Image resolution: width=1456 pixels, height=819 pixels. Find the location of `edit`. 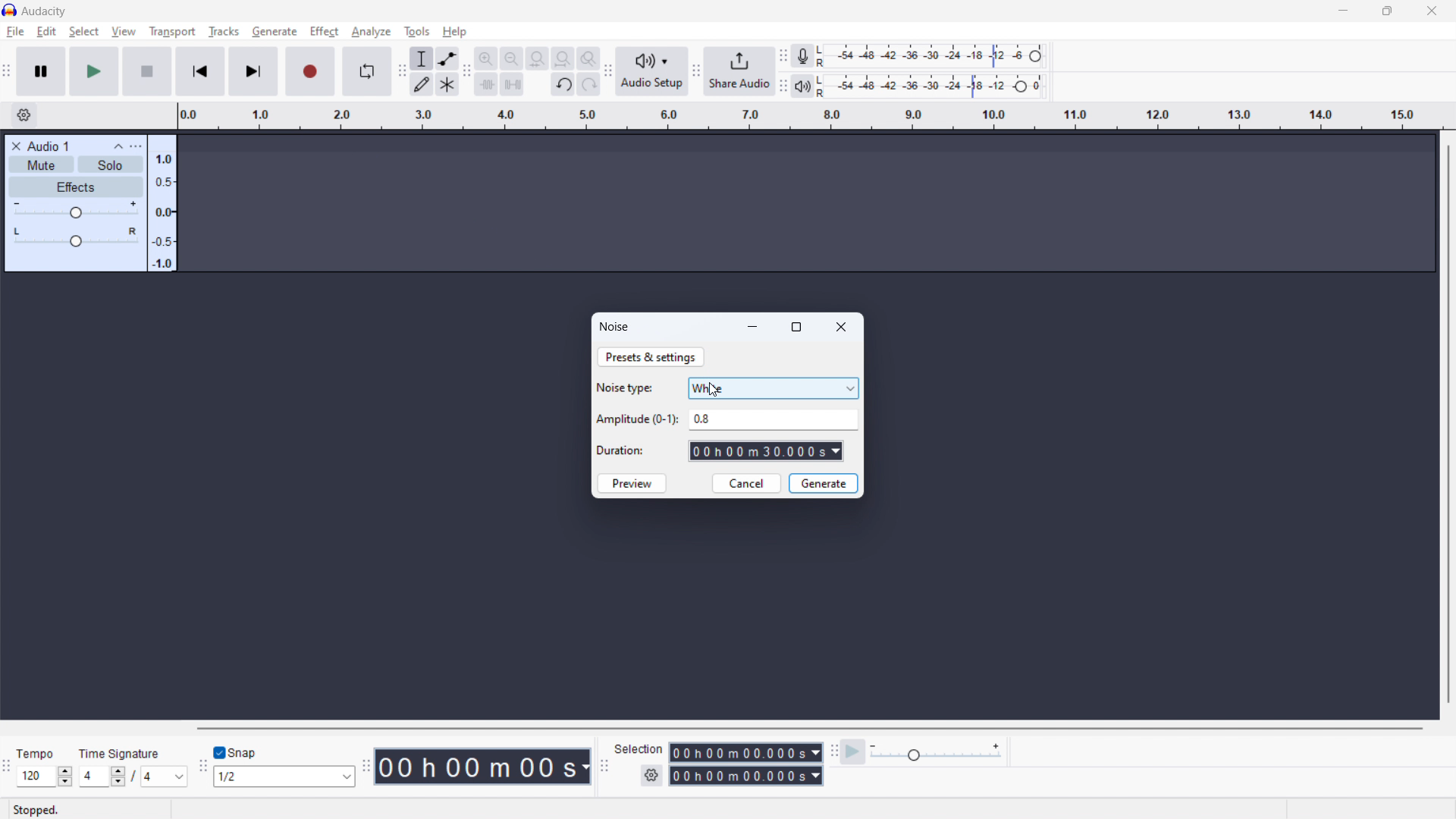

edit is located at coordinates (46, 31).